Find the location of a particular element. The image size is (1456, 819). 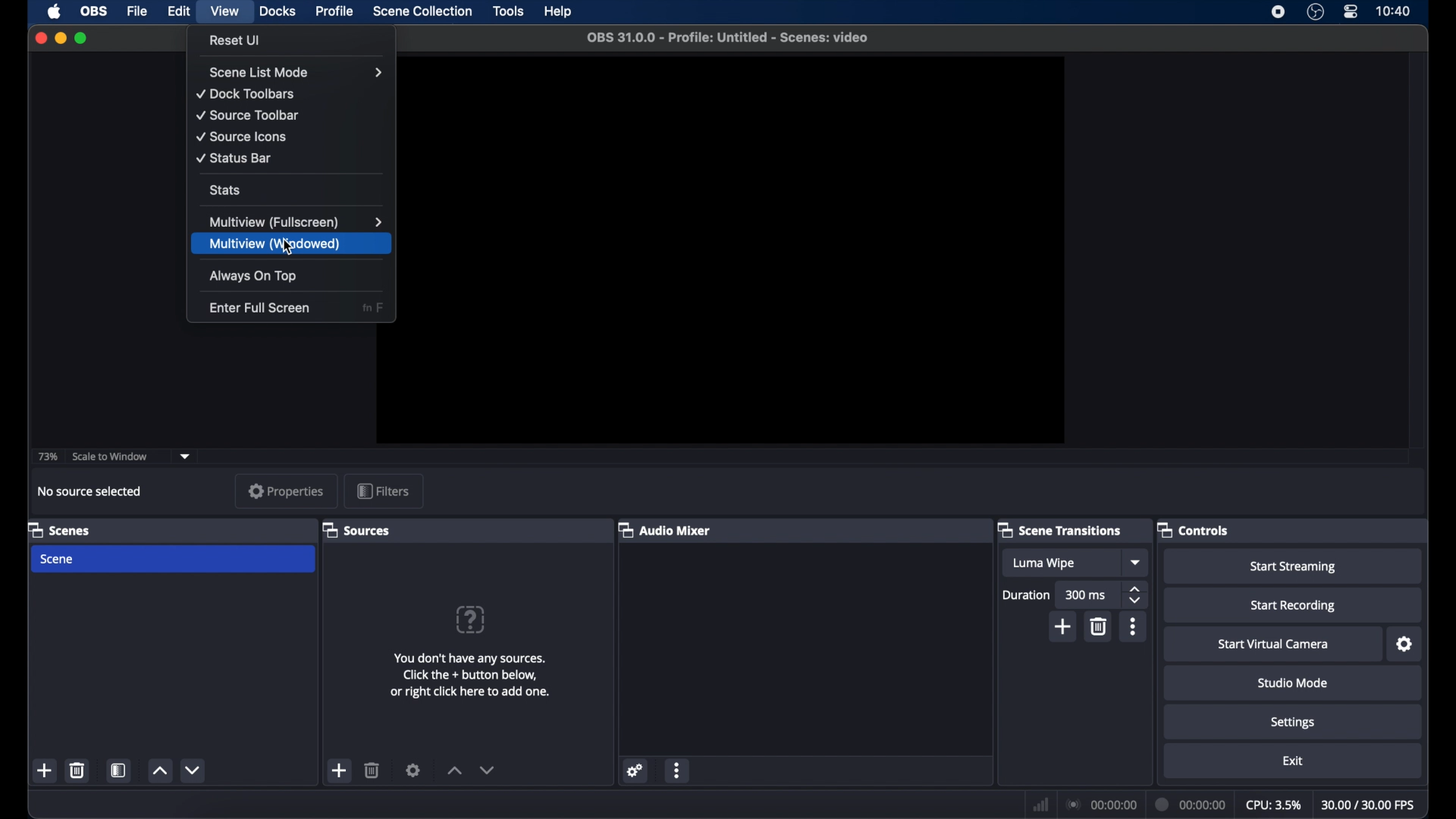

screen recorder icon is located at coordinates (1277, 11).